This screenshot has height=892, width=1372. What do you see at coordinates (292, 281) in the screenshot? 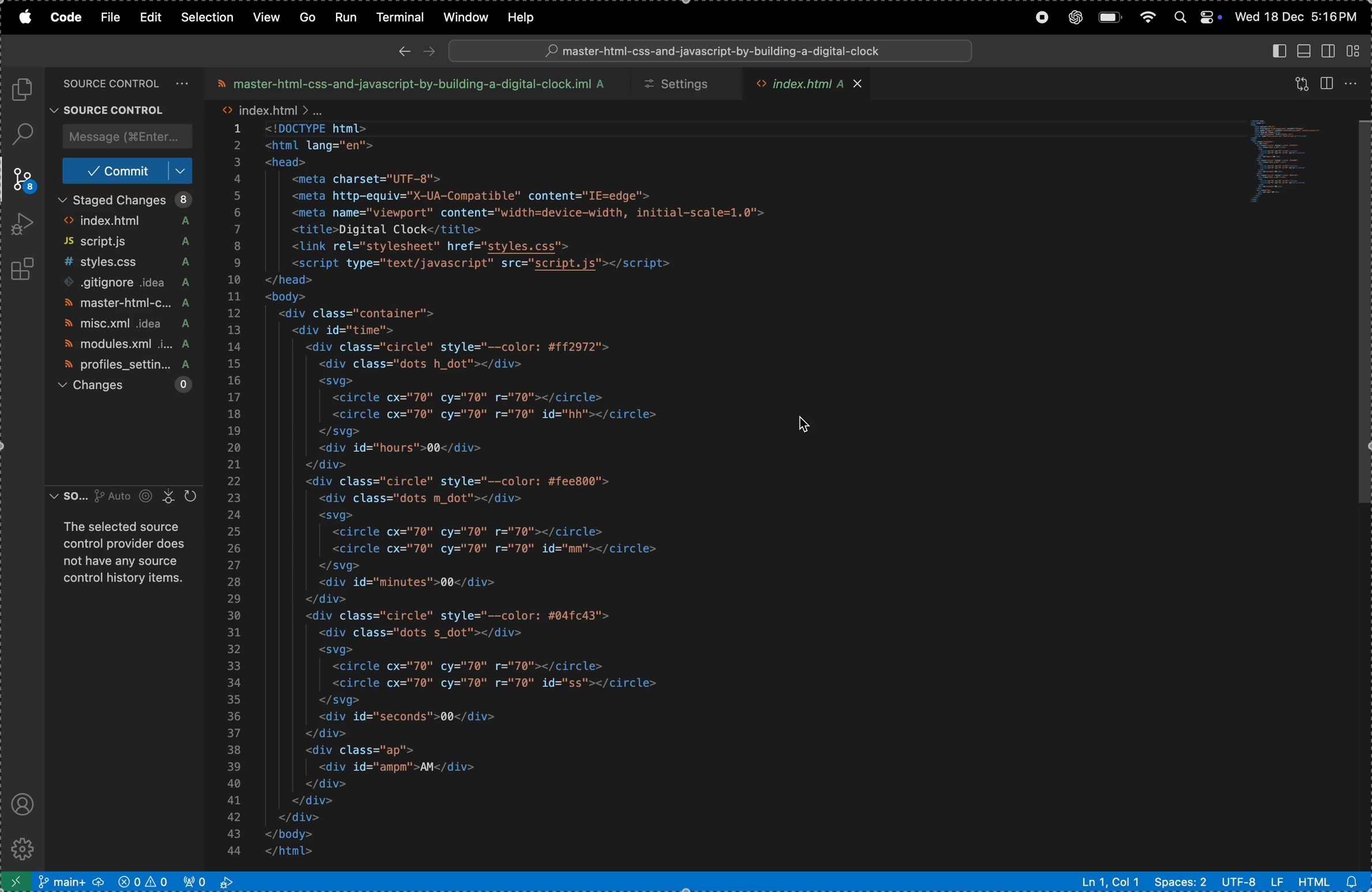
I see `</head>` at bounding box center [292, 281].